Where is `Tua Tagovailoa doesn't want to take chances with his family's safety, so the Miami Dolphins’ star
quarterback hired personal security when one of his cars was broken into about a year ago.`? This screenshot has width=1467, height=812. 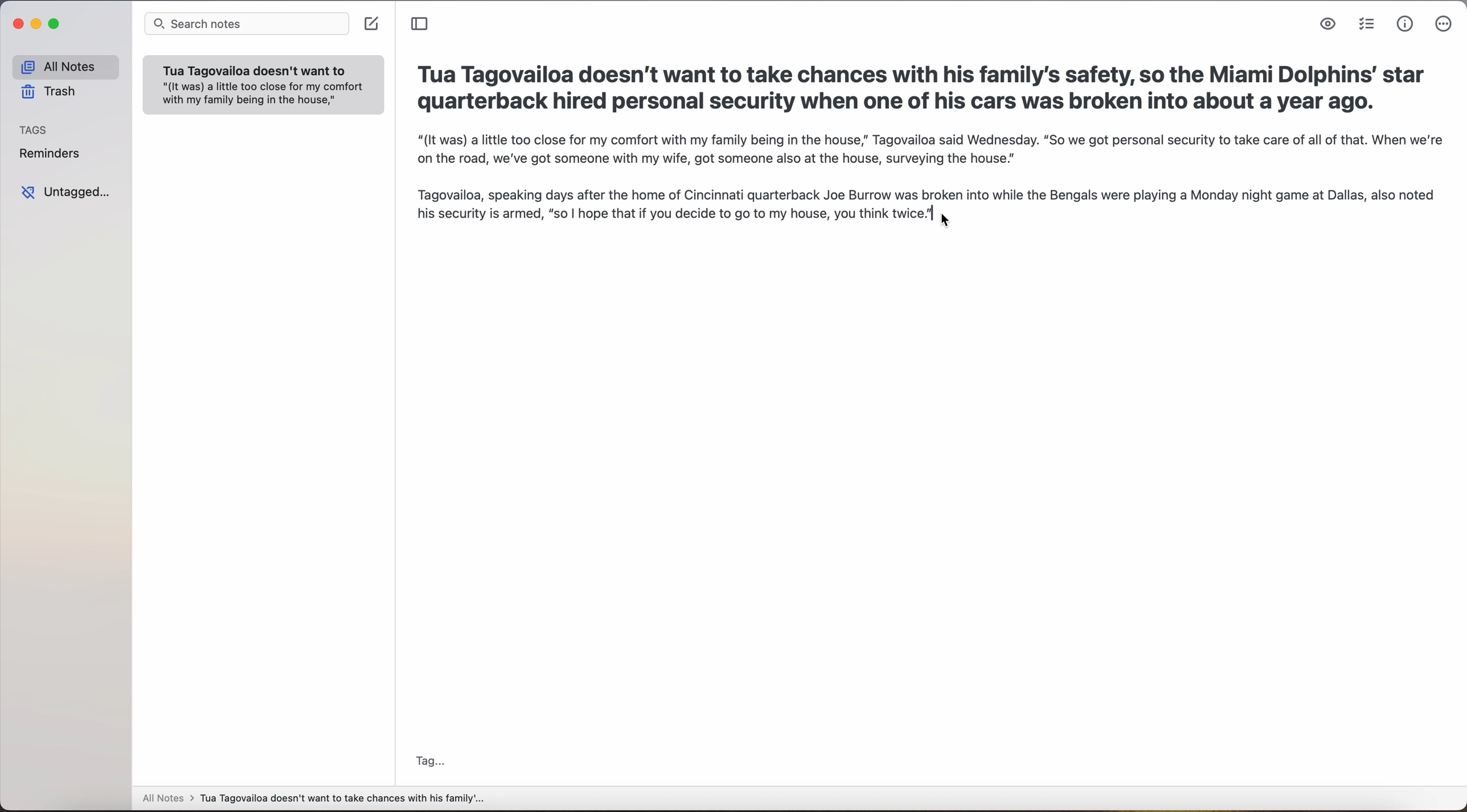
Tua Tagovailoa doesn't want to take chances with his family's safety, so the Miami Dolphins’ star
quarterback hired personal security when one of his cars was broken into about a year ago. is located at coordinates (923, 87).